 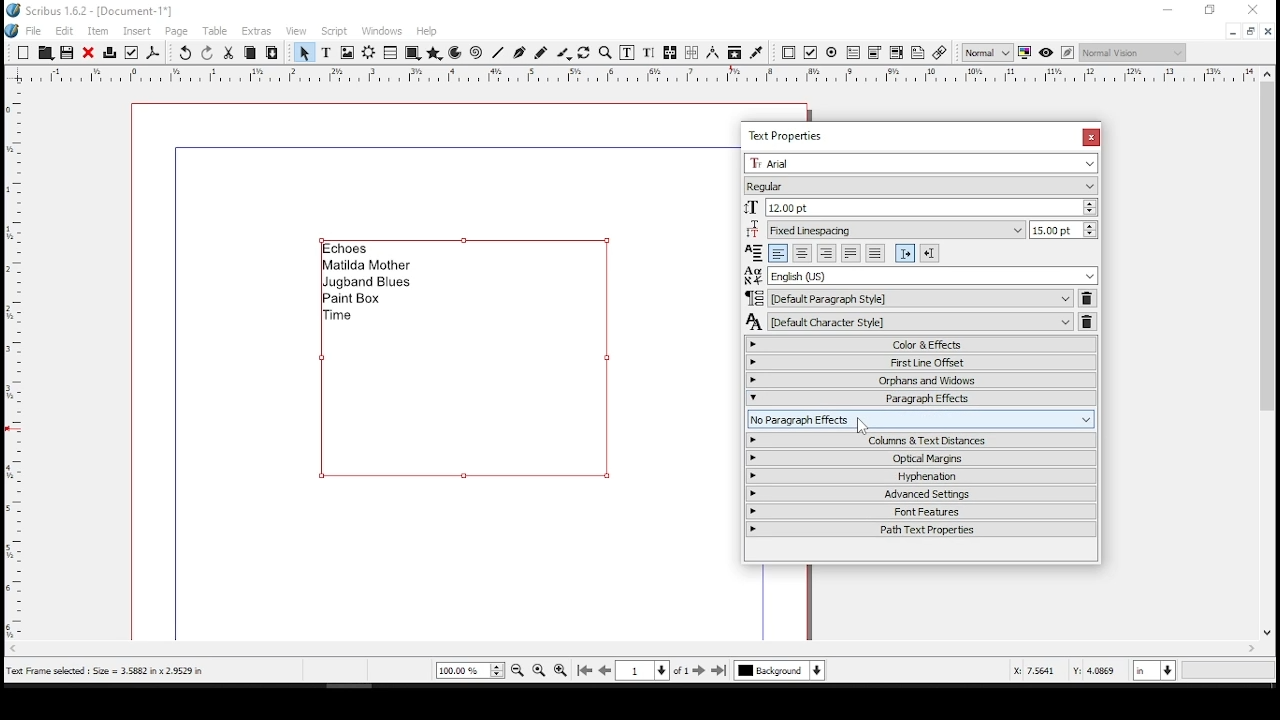 I want to click on unlink text frames, so click(x=692, y=52).